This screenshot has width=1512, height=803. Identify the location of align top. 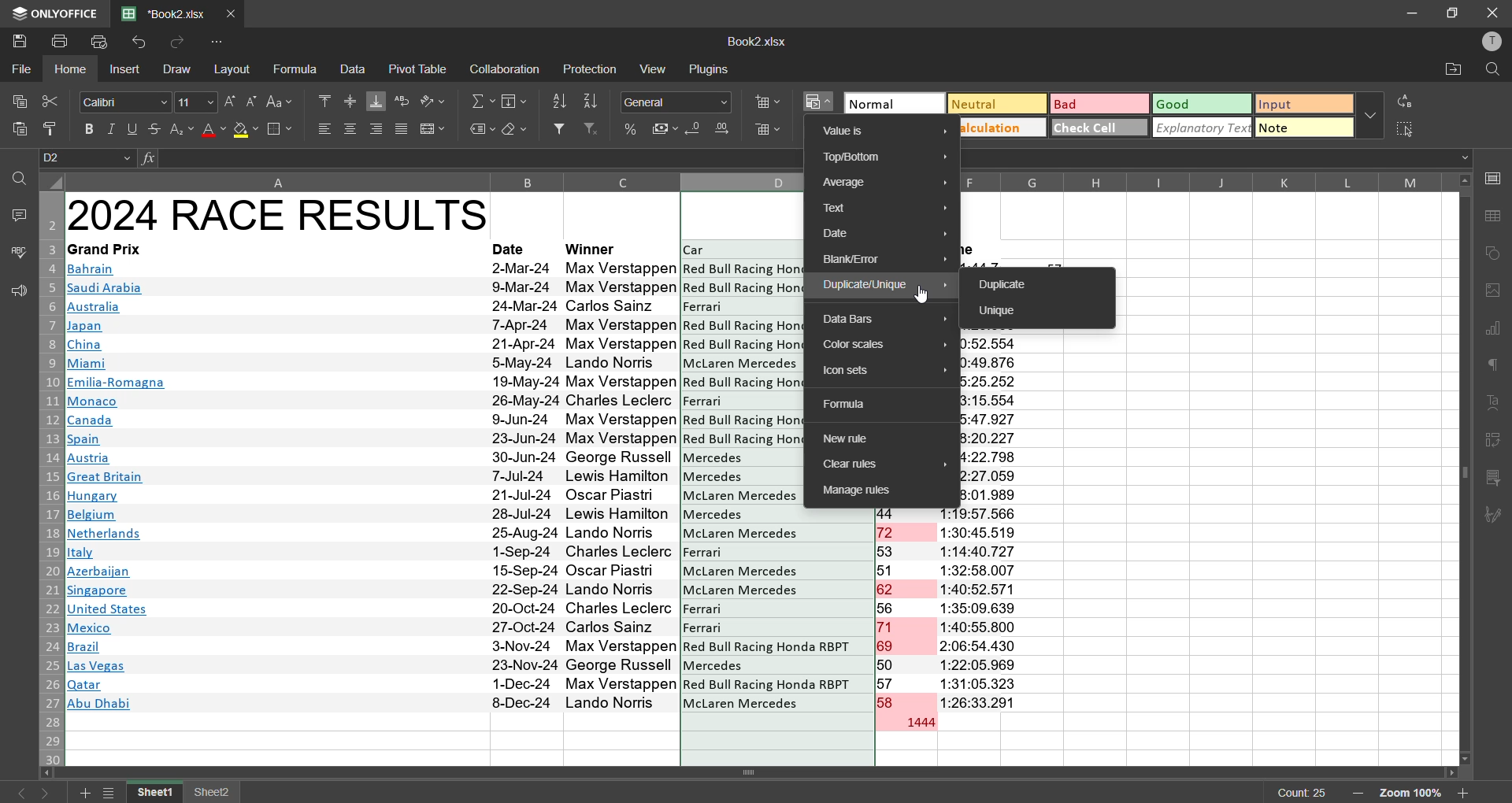
(324, 99).